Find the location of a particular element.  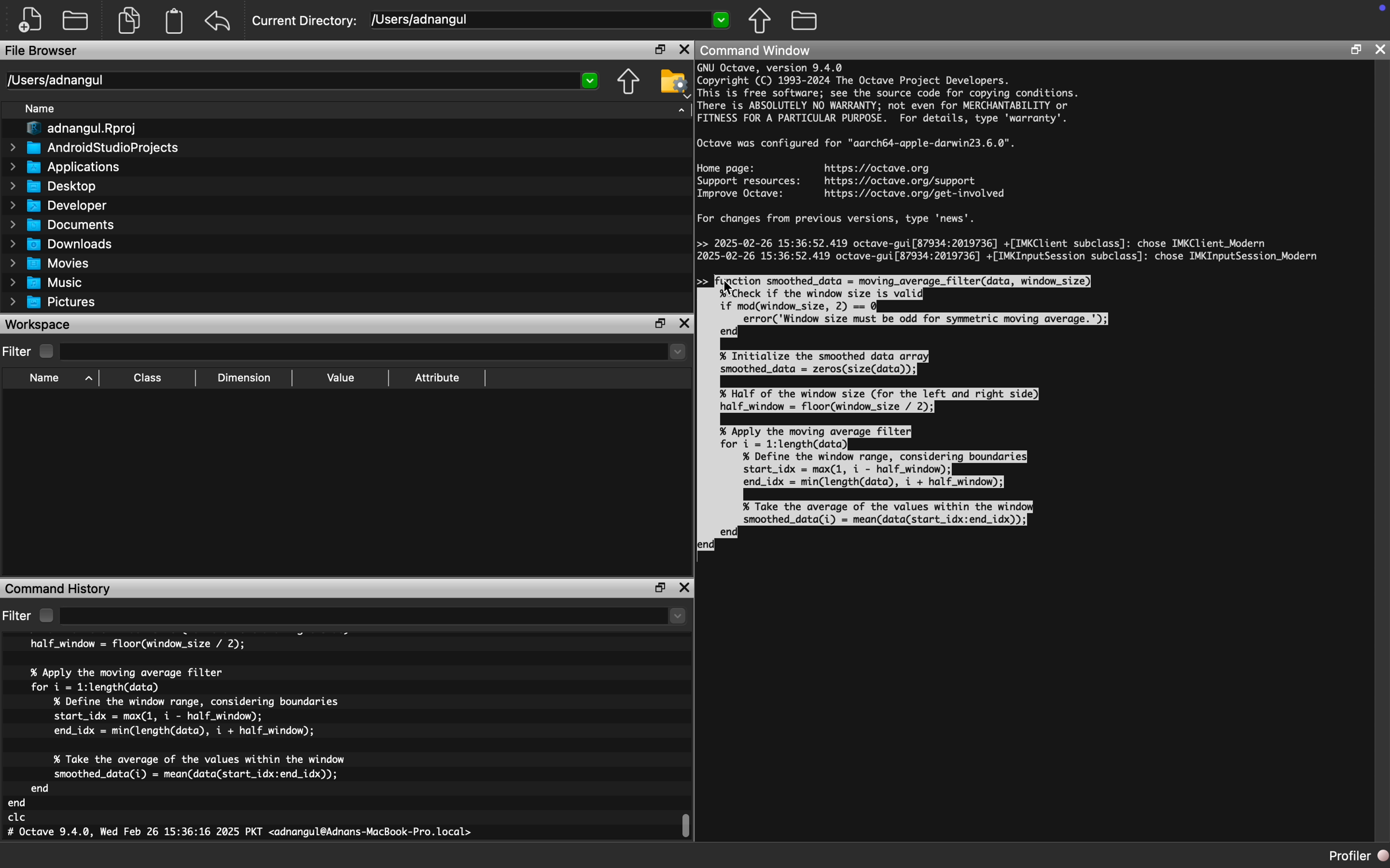

>> Hipction smoothed_data = moving_average_filter(data, window_size)|
%'Check if the window size is valid]
if mod(window_size, 2) == 0
error('Window size must be odd for symmetric moving average.');
end
% Initialize the smoothed data arra
smoothed_data = zeros(size(data));
% Half of the window size (for the left and right side)
half_window = floor(window_size / 2);
% Apply the moving average filter
for i = 1:length(data)
% Define the window range, considering boundaries)
start_idx = max(1, i - half_window);
end_idx = min(length(data), i + half_window);
% Take the average of the values within the windo
smoothed_data(i) = mean(data(start_idx:end_idx));
end
lend] is located at coordinates (914, 413).